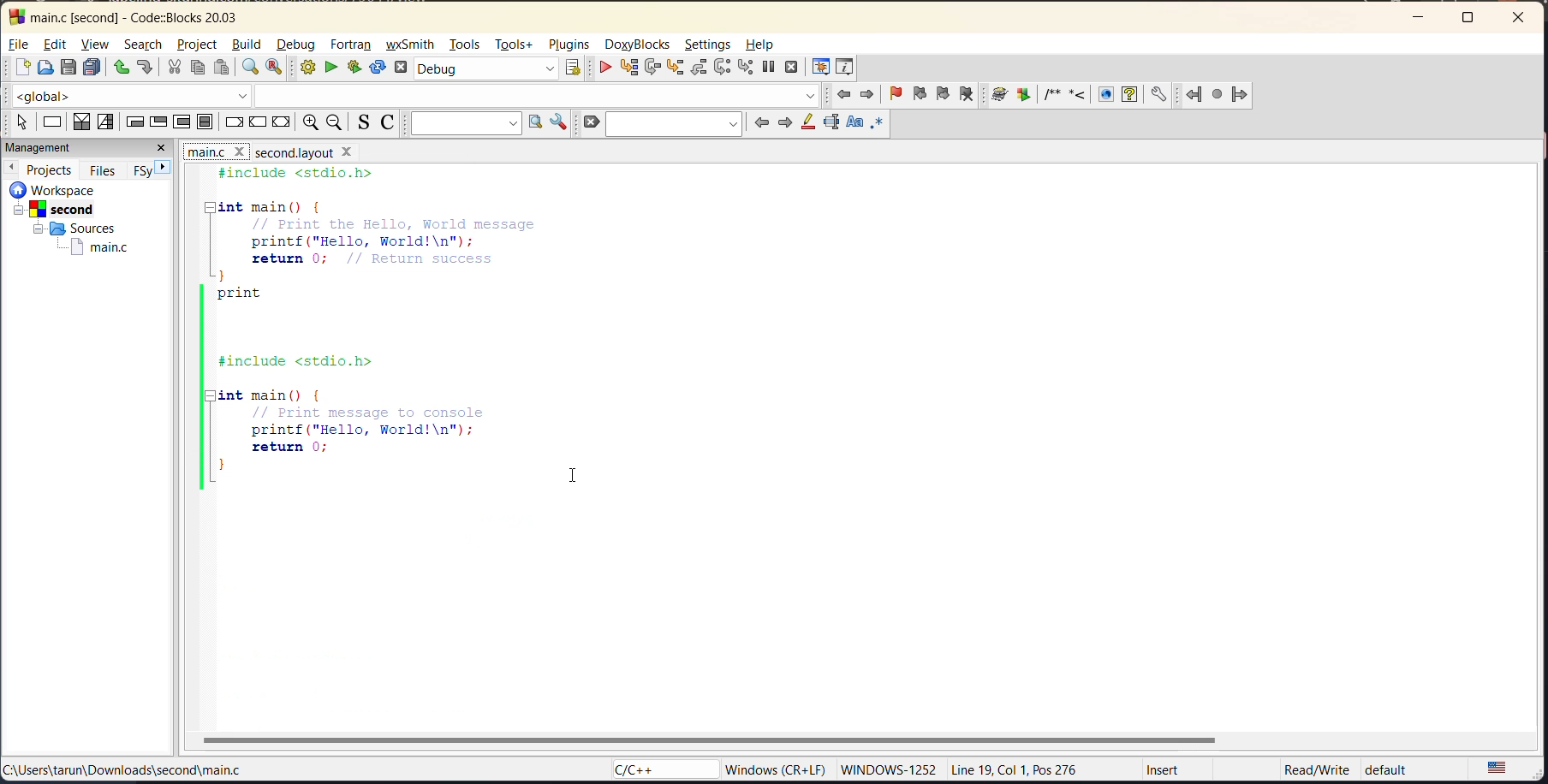  Describe the element at coordinates (44, 146) in the screenshot. I see `management` at that location.